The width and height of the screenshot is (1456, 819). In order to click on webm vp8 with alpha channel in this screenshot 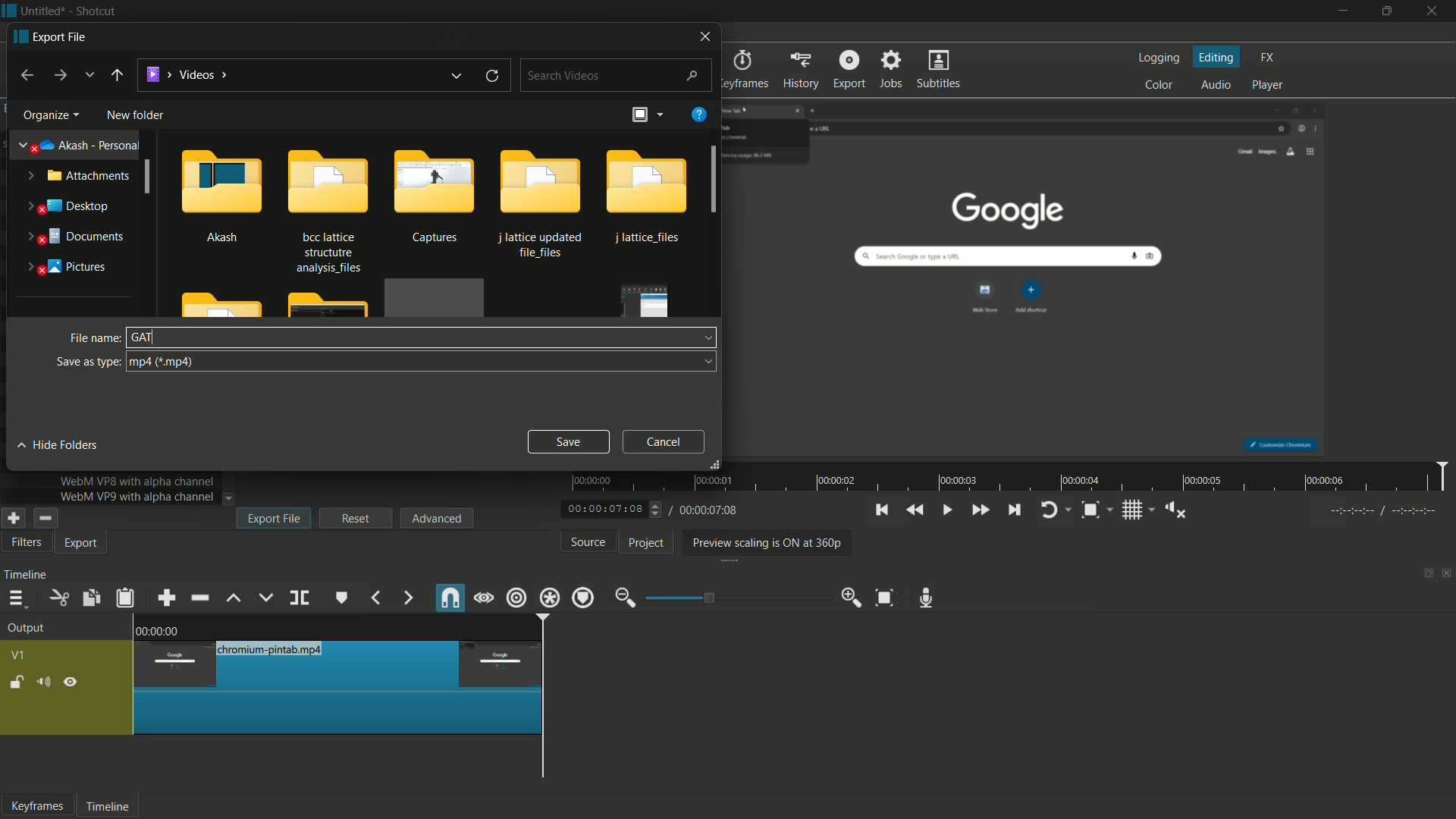, I will do `click(136, 482)`.